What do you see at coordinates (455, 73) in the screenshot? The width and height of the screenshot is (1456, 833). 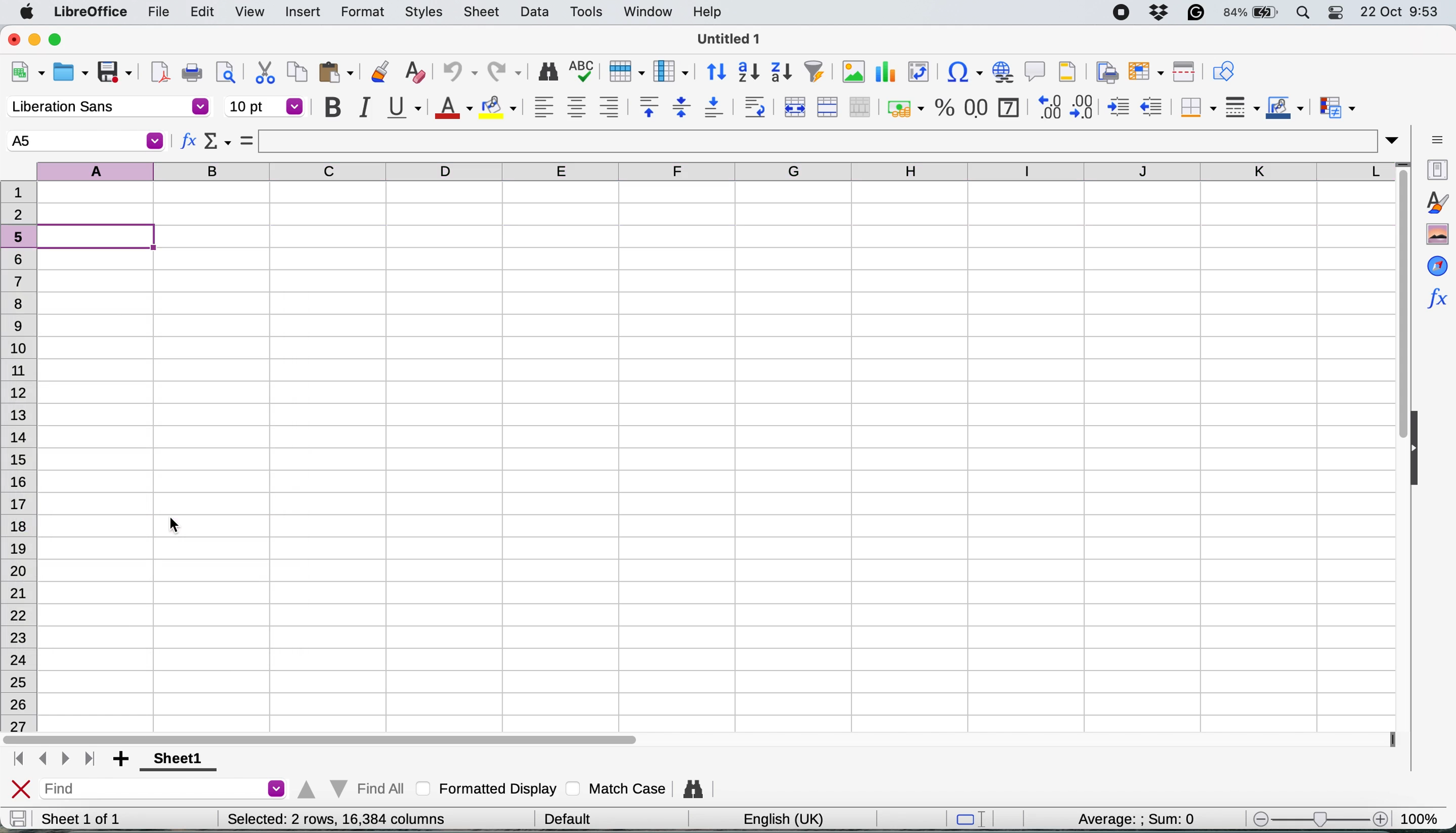 I see `undo` at bounding box center [455, 73].